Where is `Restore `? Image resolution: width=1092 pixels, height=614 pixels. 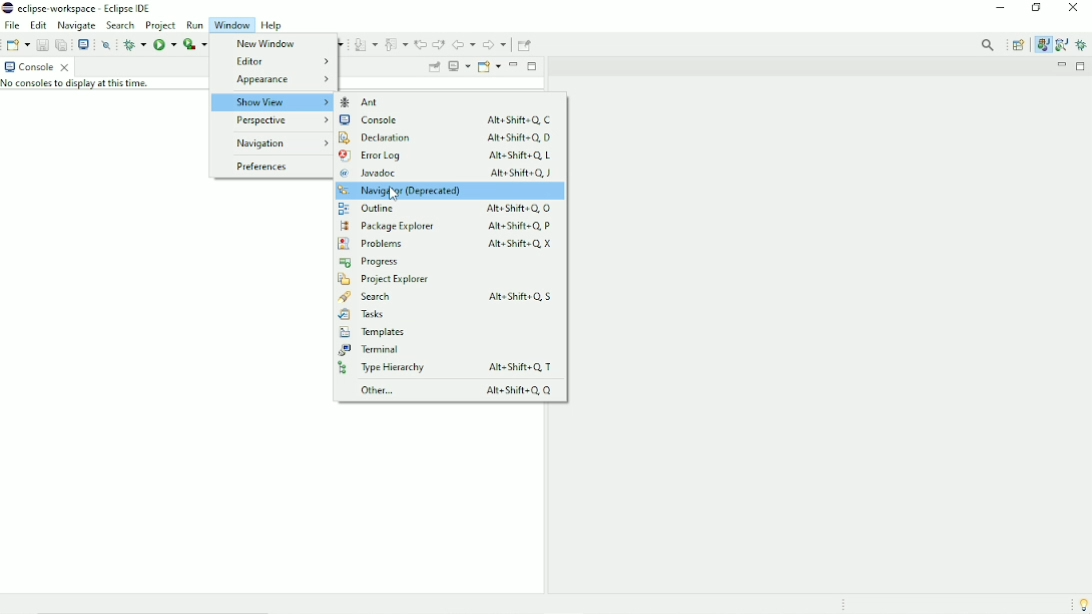 Restore  is located at coordinates (1040, 9).